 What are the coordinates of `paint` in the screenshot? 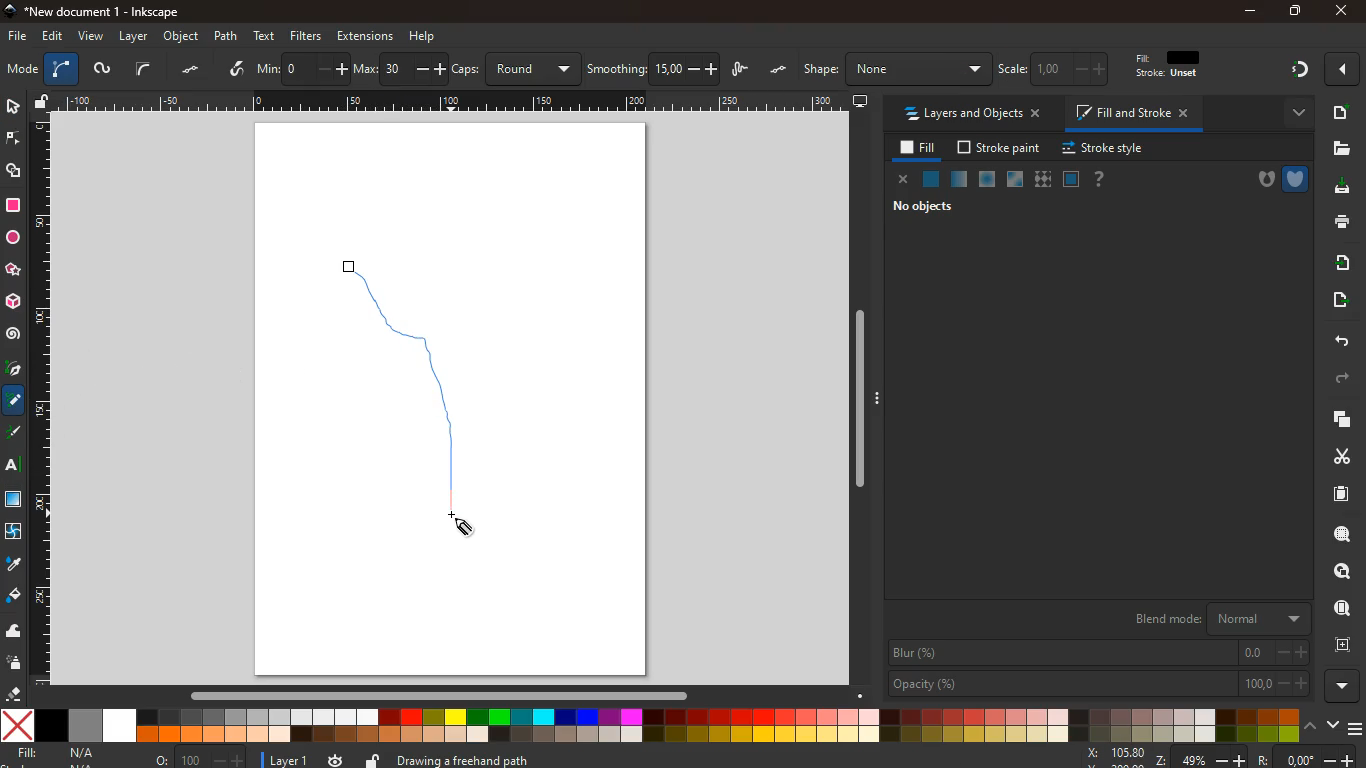 It's located at (15, 597).